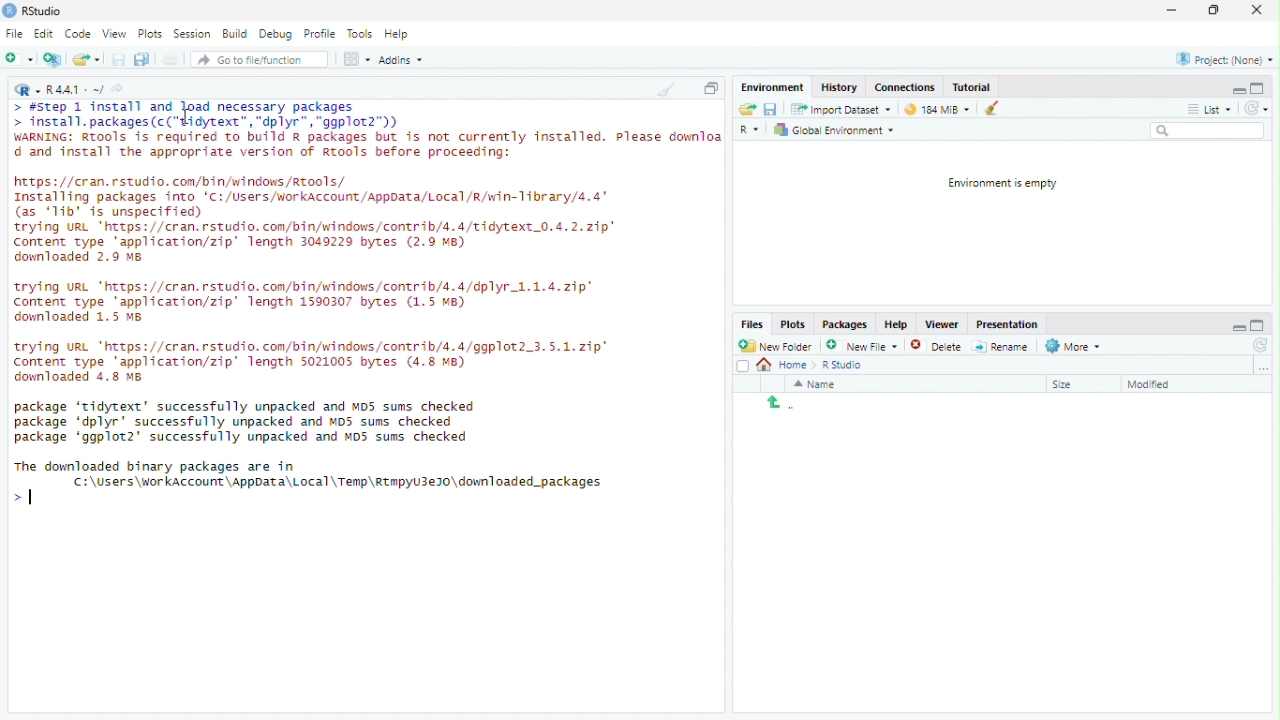 This screenshot has height=720, width=1280. I want to click on Name, so click(817, 384).